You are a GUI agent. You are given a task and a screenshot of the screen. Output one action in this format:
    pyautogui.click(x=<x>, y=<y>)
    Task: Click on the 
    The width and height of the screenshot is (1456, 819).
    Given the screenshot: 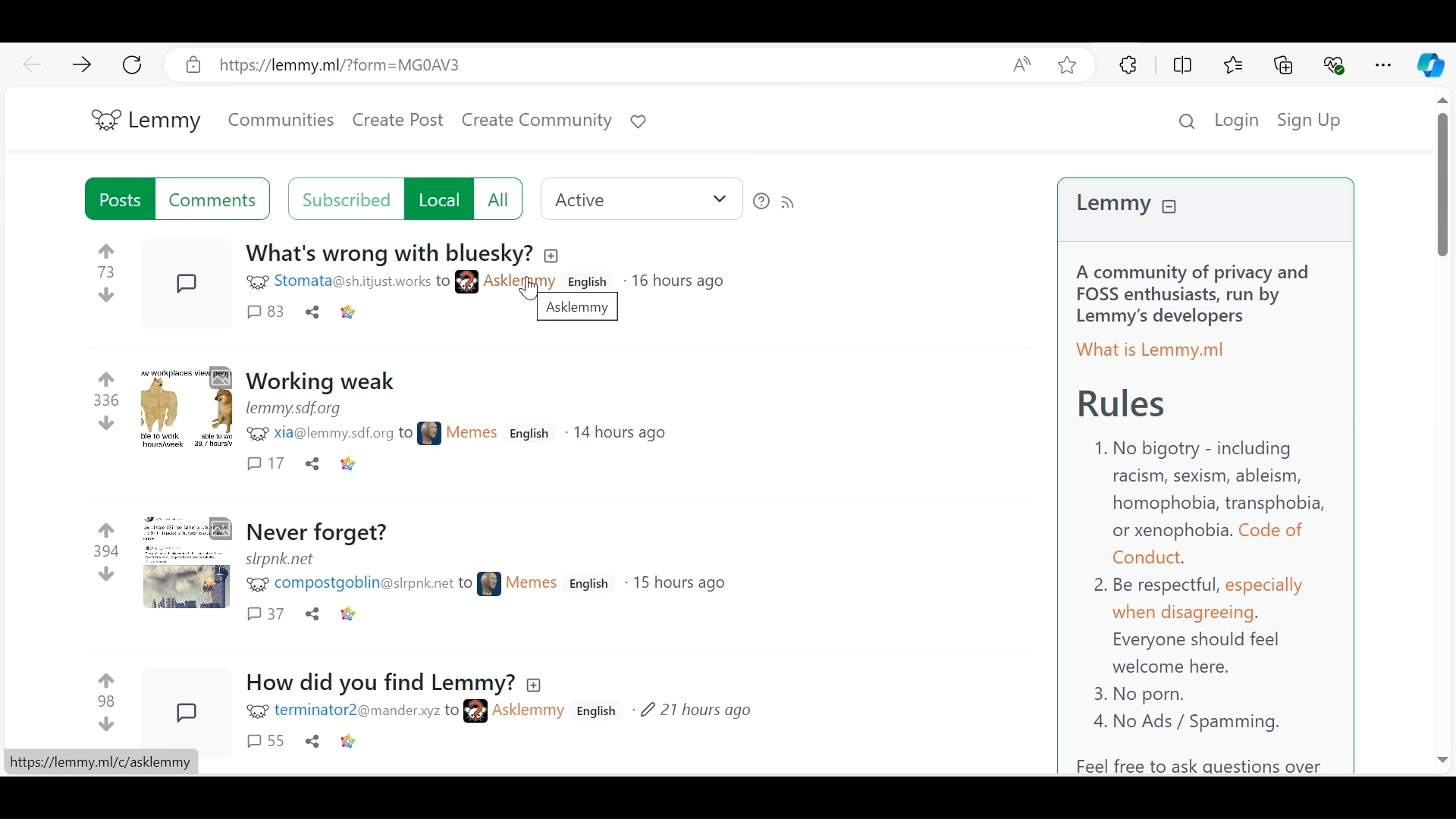 What is the action you would take?
    pyautogui.click(x=189, y=281)
    